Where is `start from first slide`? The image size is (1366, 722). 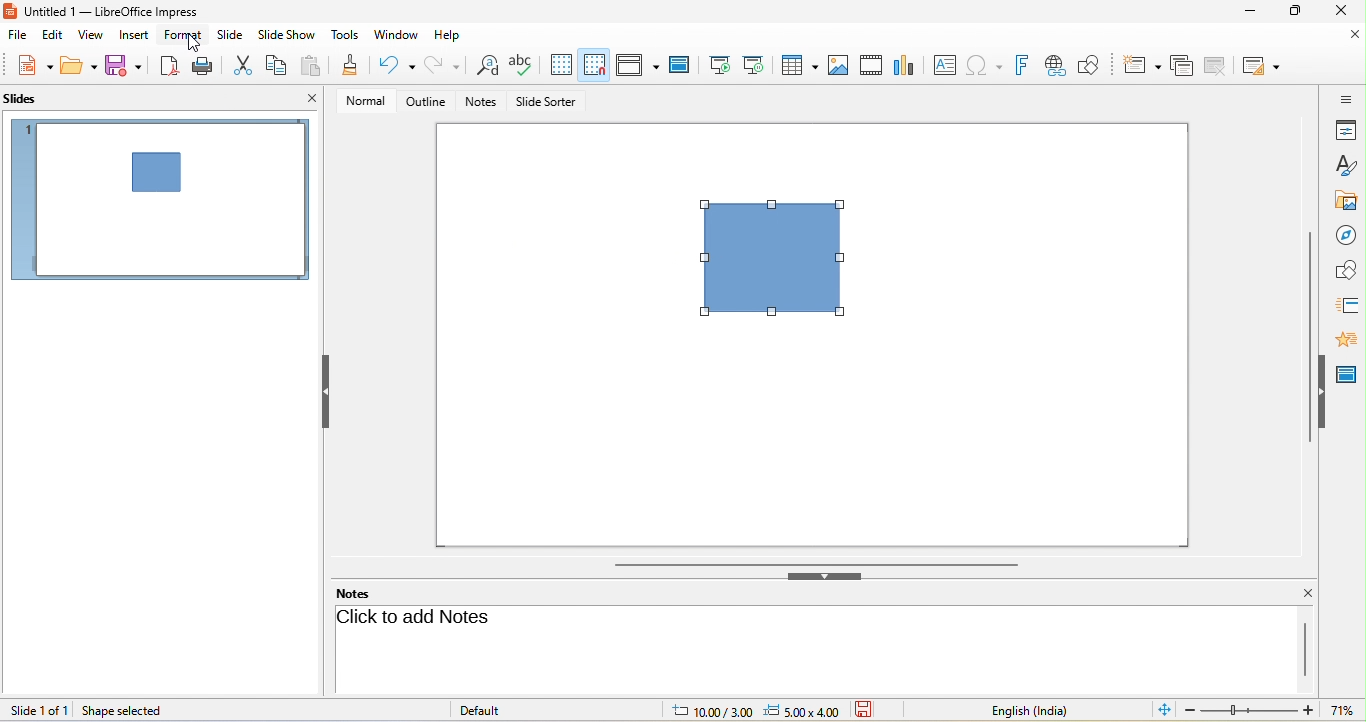
start from first slide is located at coordinates (719, 63).